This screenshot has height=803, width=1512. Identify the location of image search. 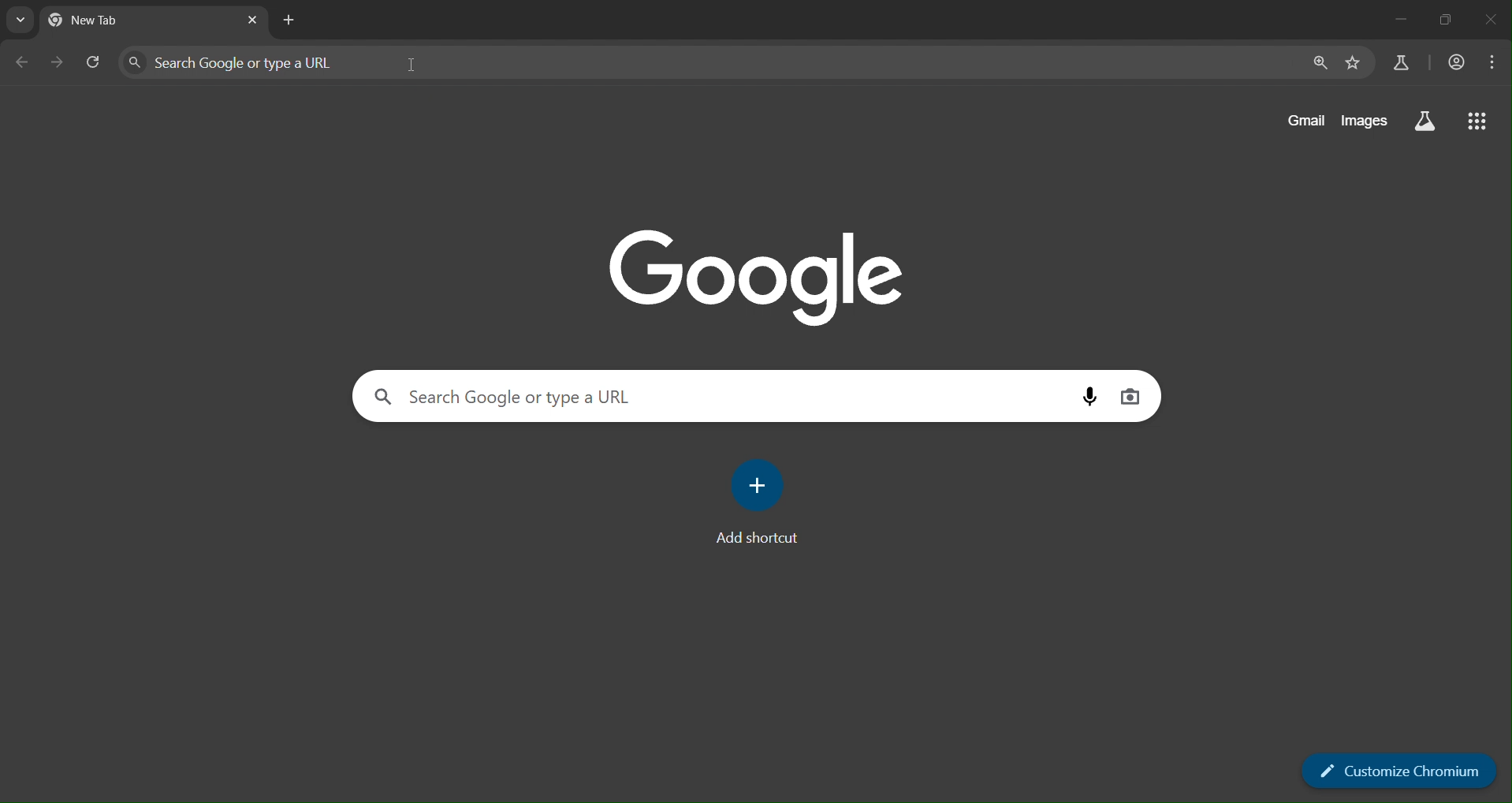
(1130, 395).